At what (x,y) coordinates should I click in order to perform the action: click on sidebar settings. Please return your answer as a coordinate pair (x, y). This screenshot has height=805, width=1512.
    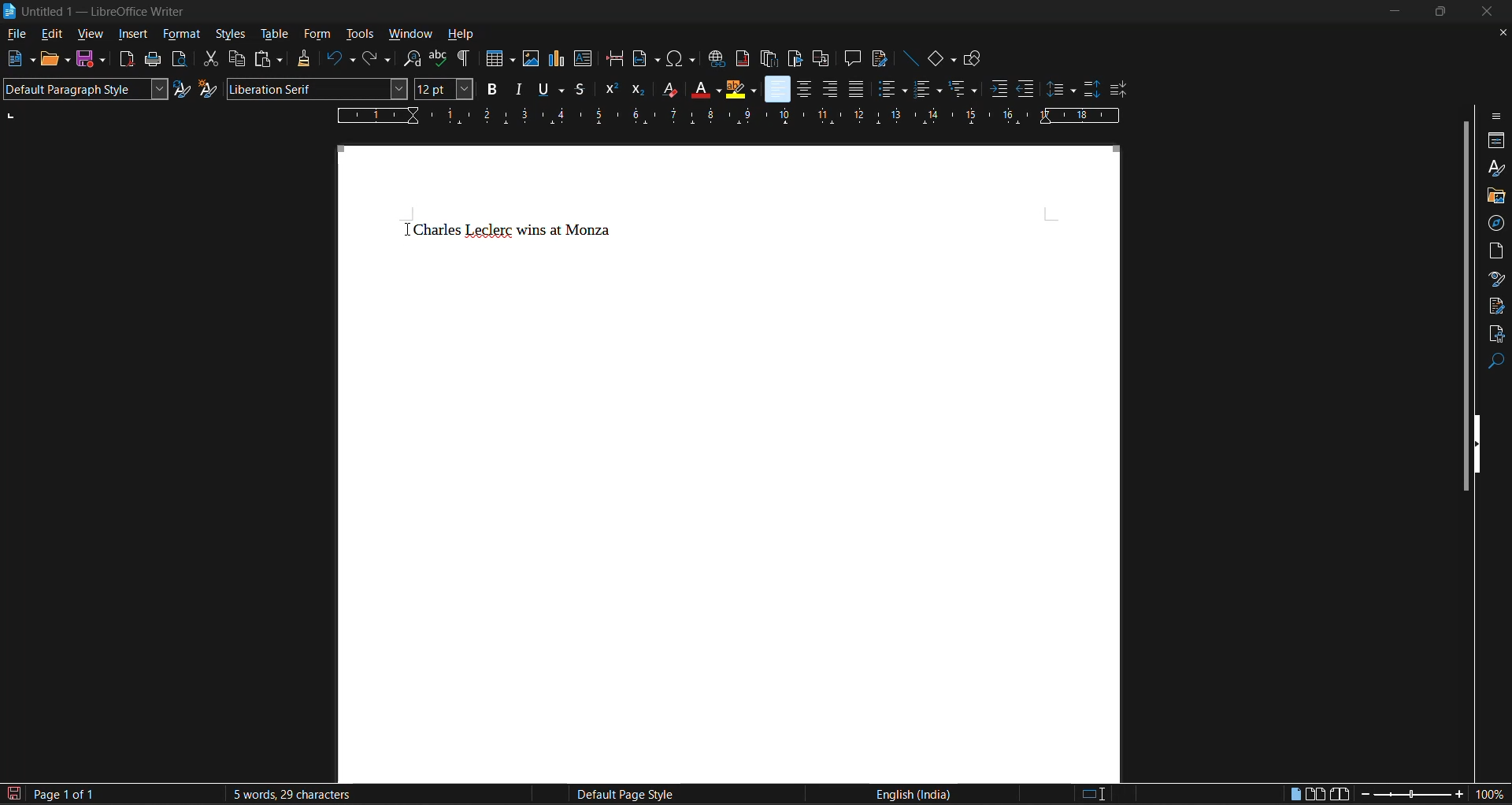
    Looking at the image, I should click on (1497, 116).